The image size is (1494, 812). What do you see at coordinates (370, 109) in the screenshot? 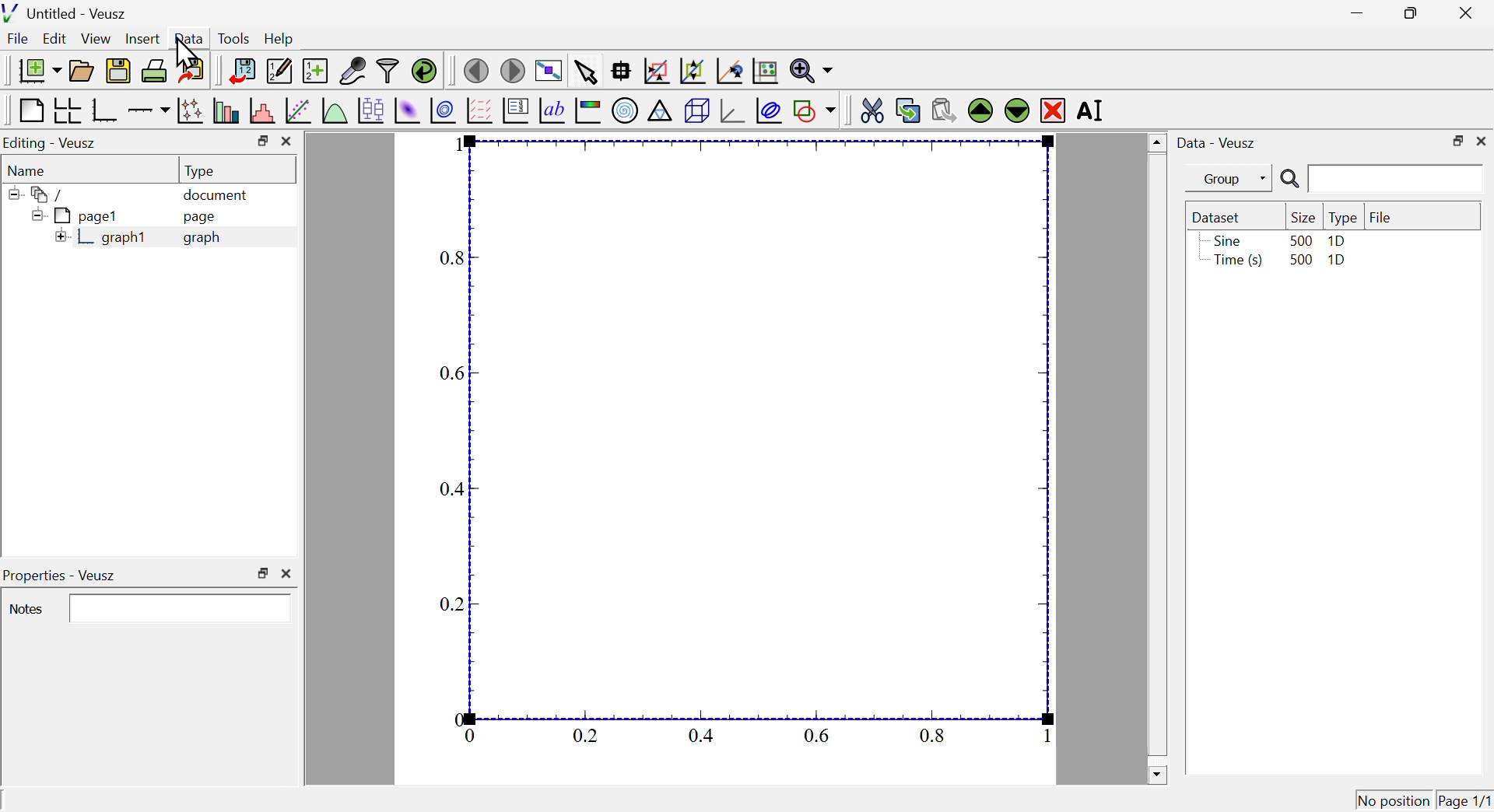
I see `plot box plots` at bounding box center [370, 109].